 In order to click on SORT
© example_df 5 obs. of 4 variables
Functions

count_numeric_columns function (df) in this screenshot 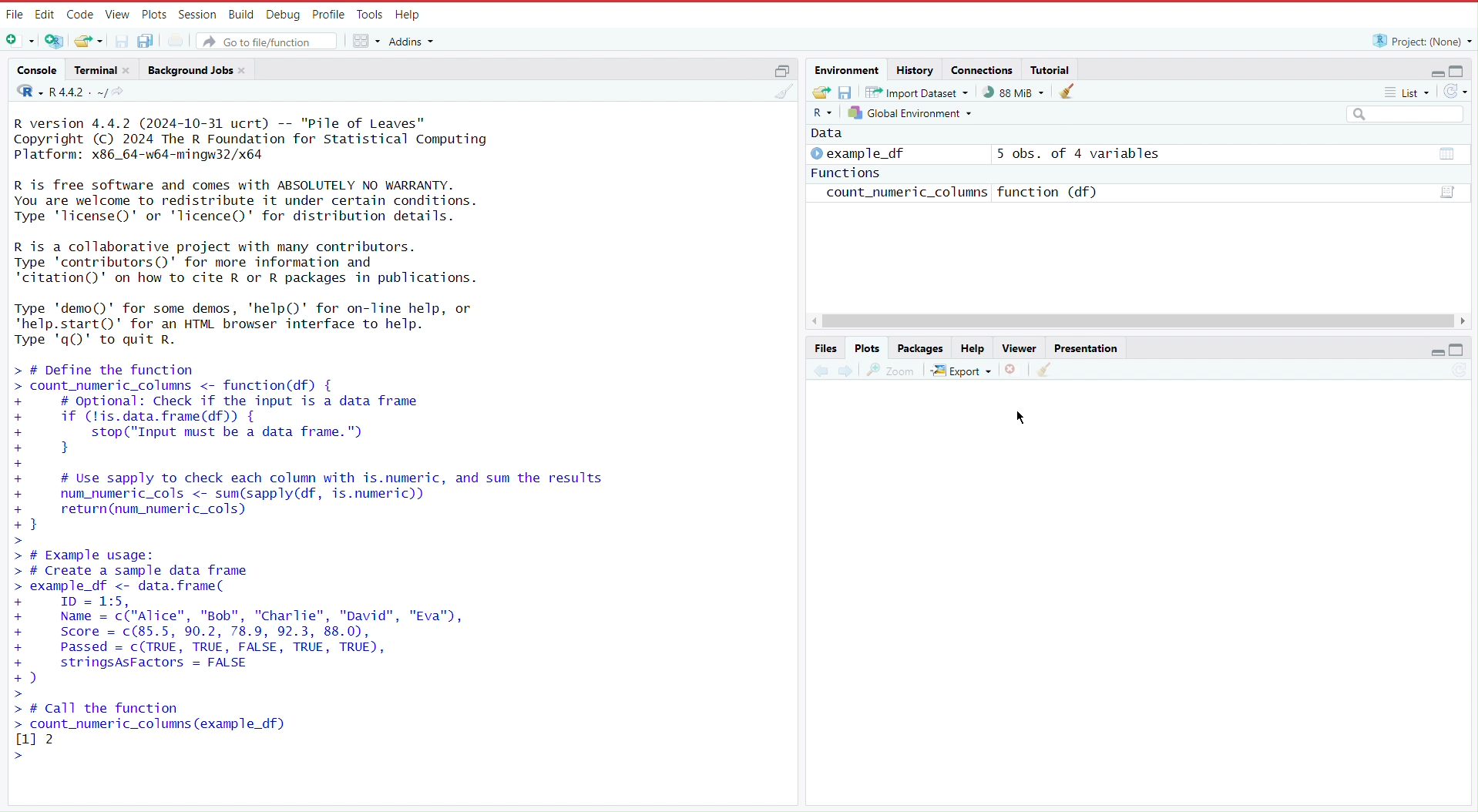, I will do `click(1005, 170)`.